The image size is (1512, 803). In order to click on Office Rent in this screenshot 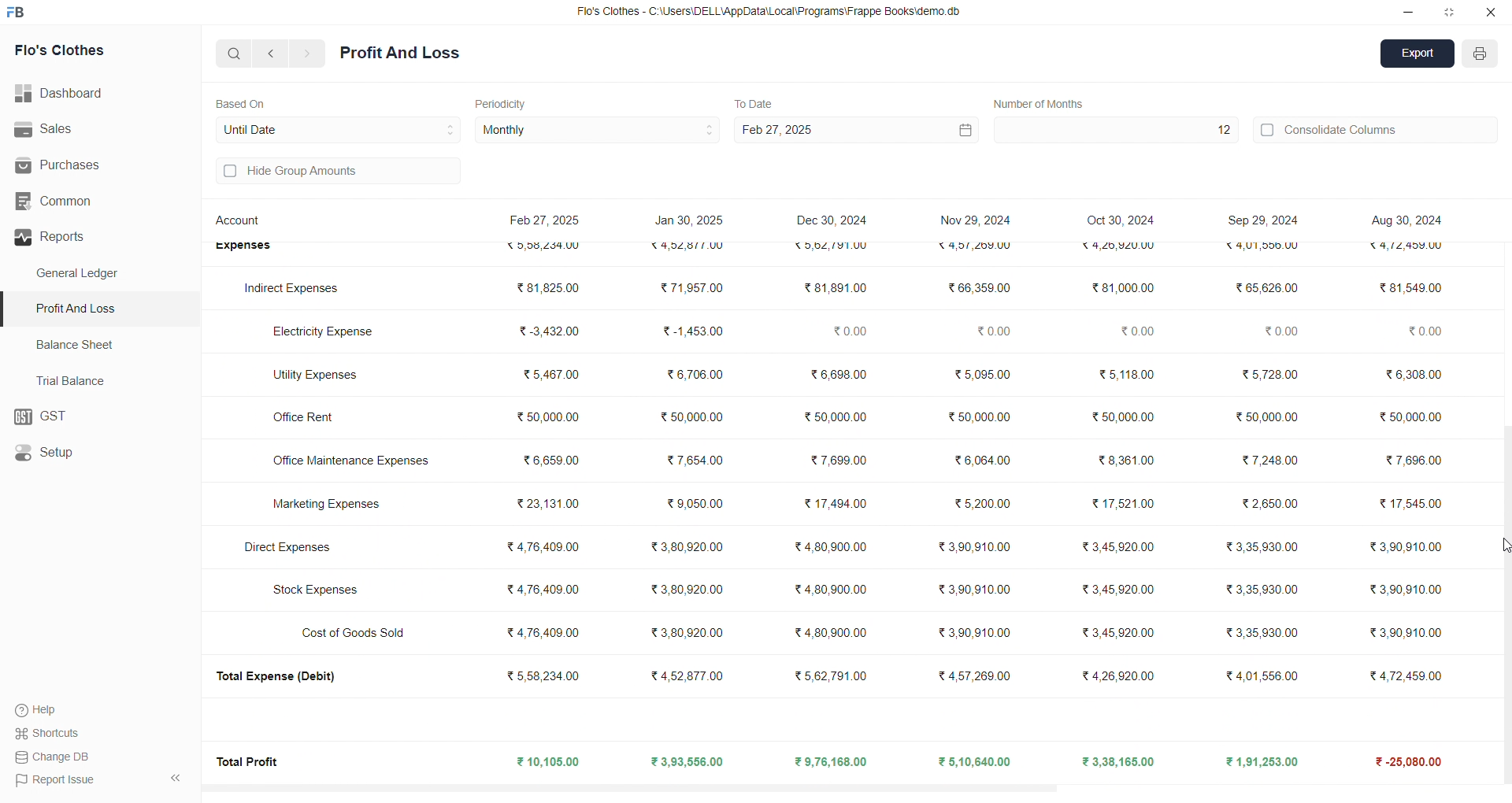, I will do `click(310, 419)`.